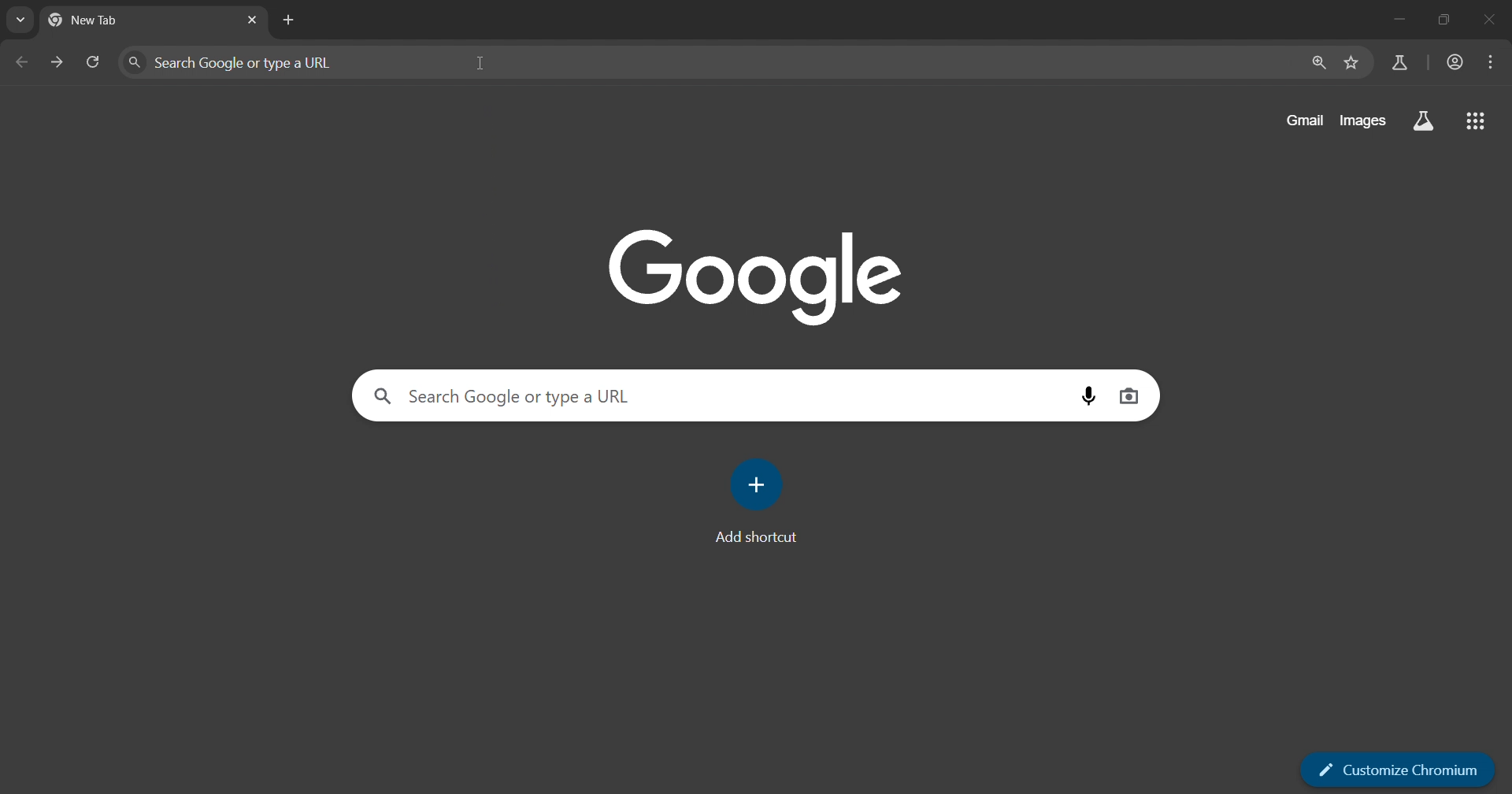  What do you see at coordinates (1129, 396) in the screenshot?
I see `image search` at bounding box center [1129, 396].